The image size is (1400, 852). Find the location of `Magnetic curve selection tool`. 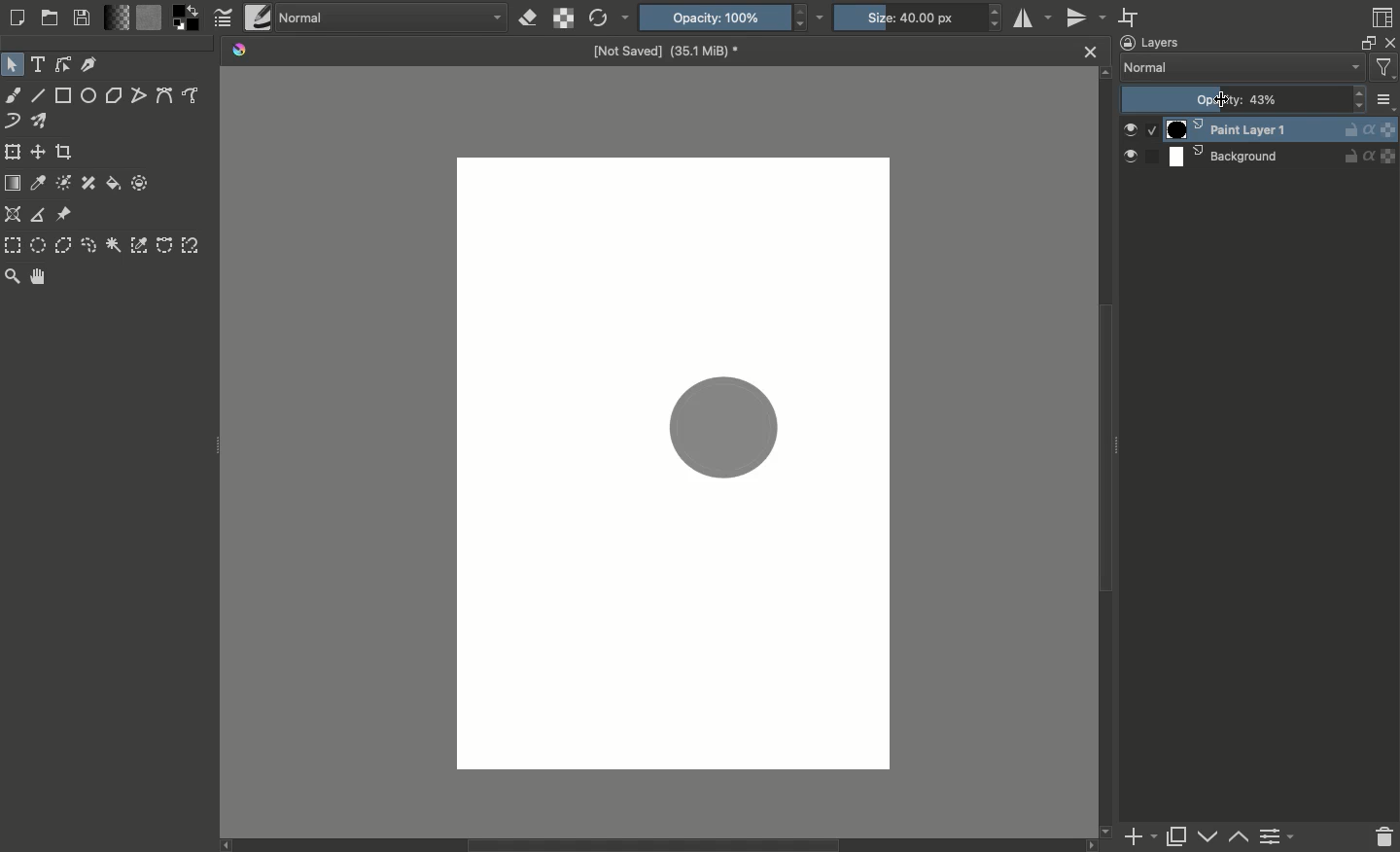

Magnetic curve selection tool is located at coordinates (194, 245).